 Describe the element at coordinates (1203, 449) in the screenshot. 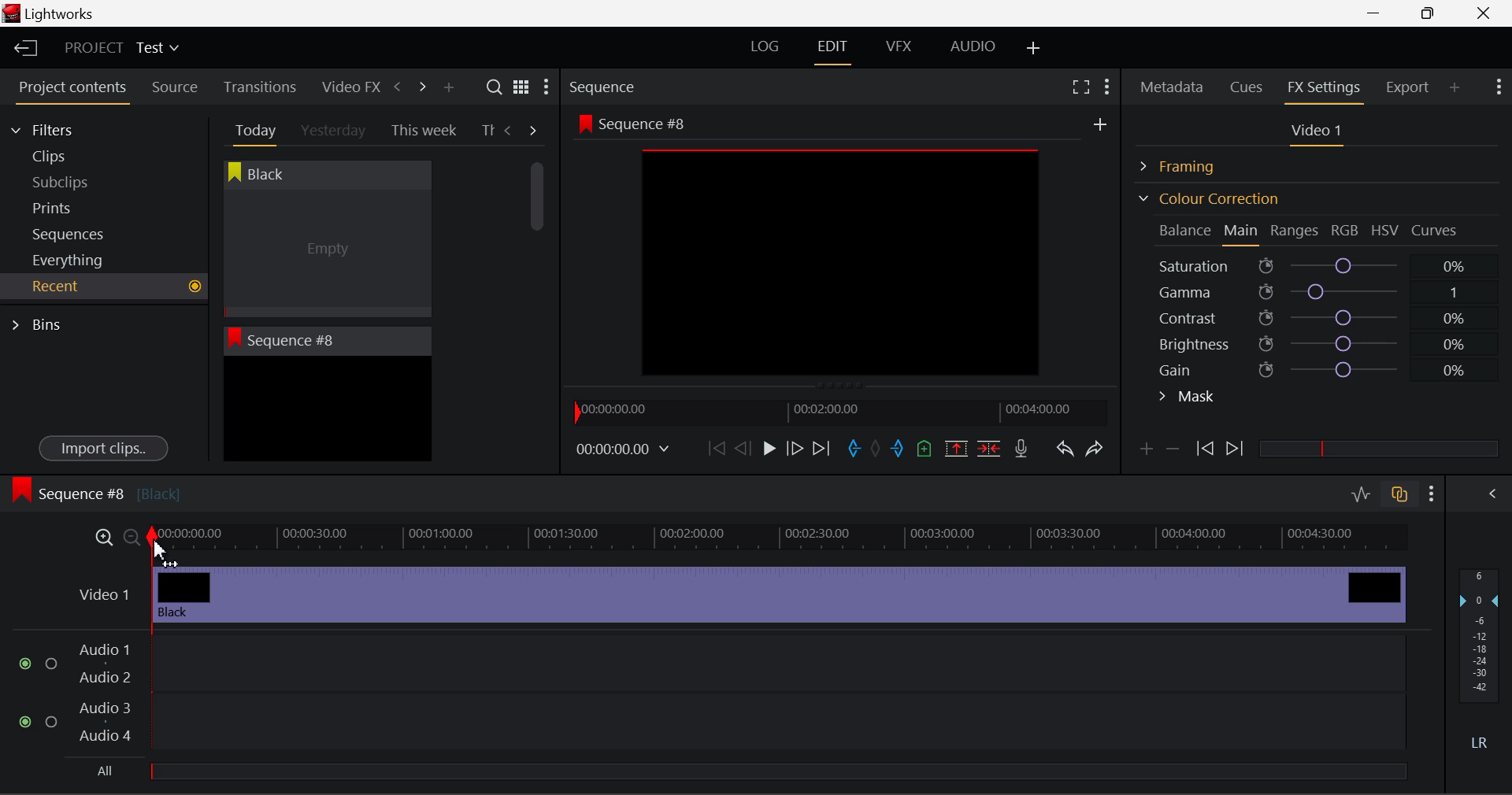

I see `Previous keyframe` at that location.